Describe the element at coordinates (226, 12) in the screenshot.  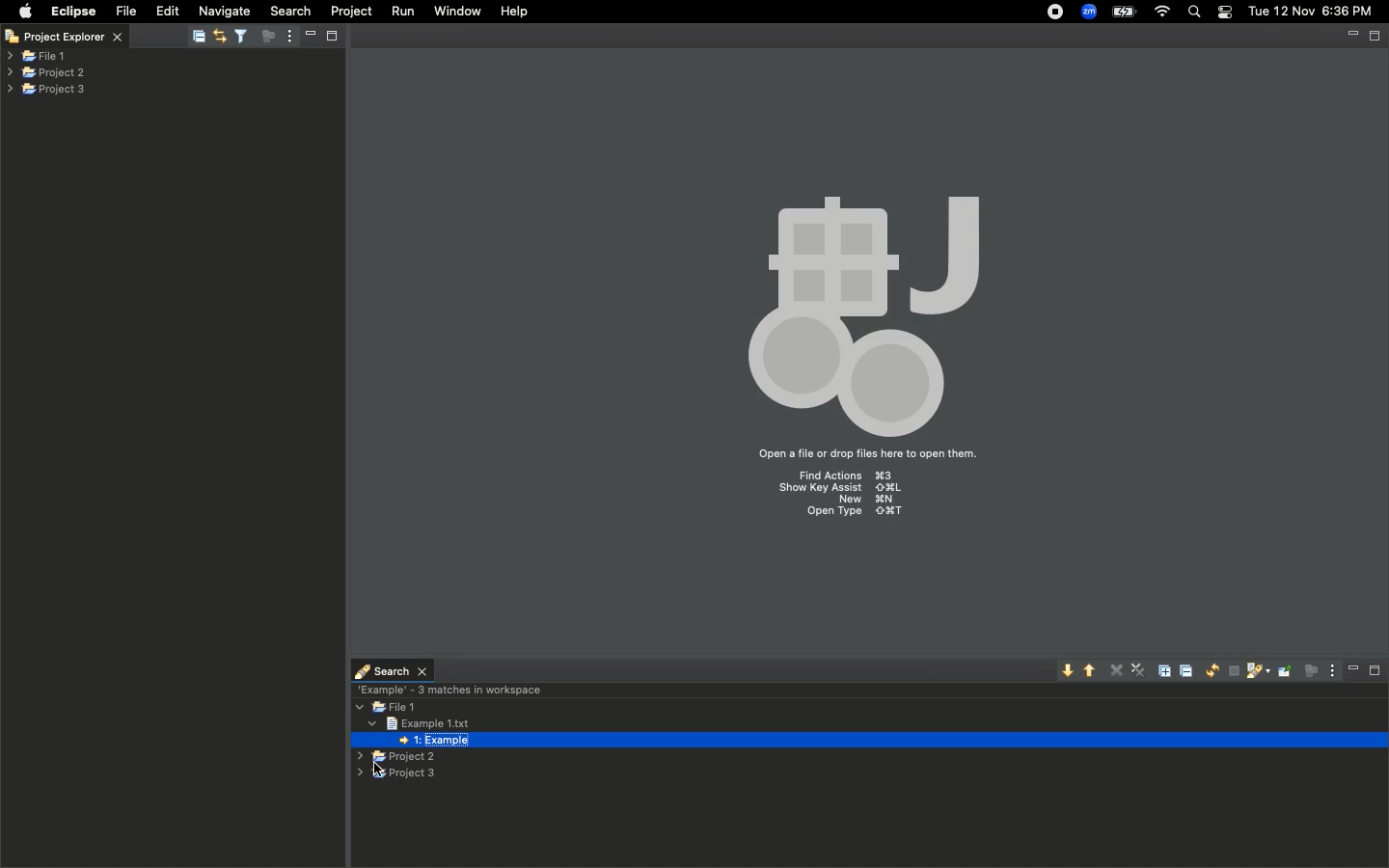
I see `Navigate` at that location.